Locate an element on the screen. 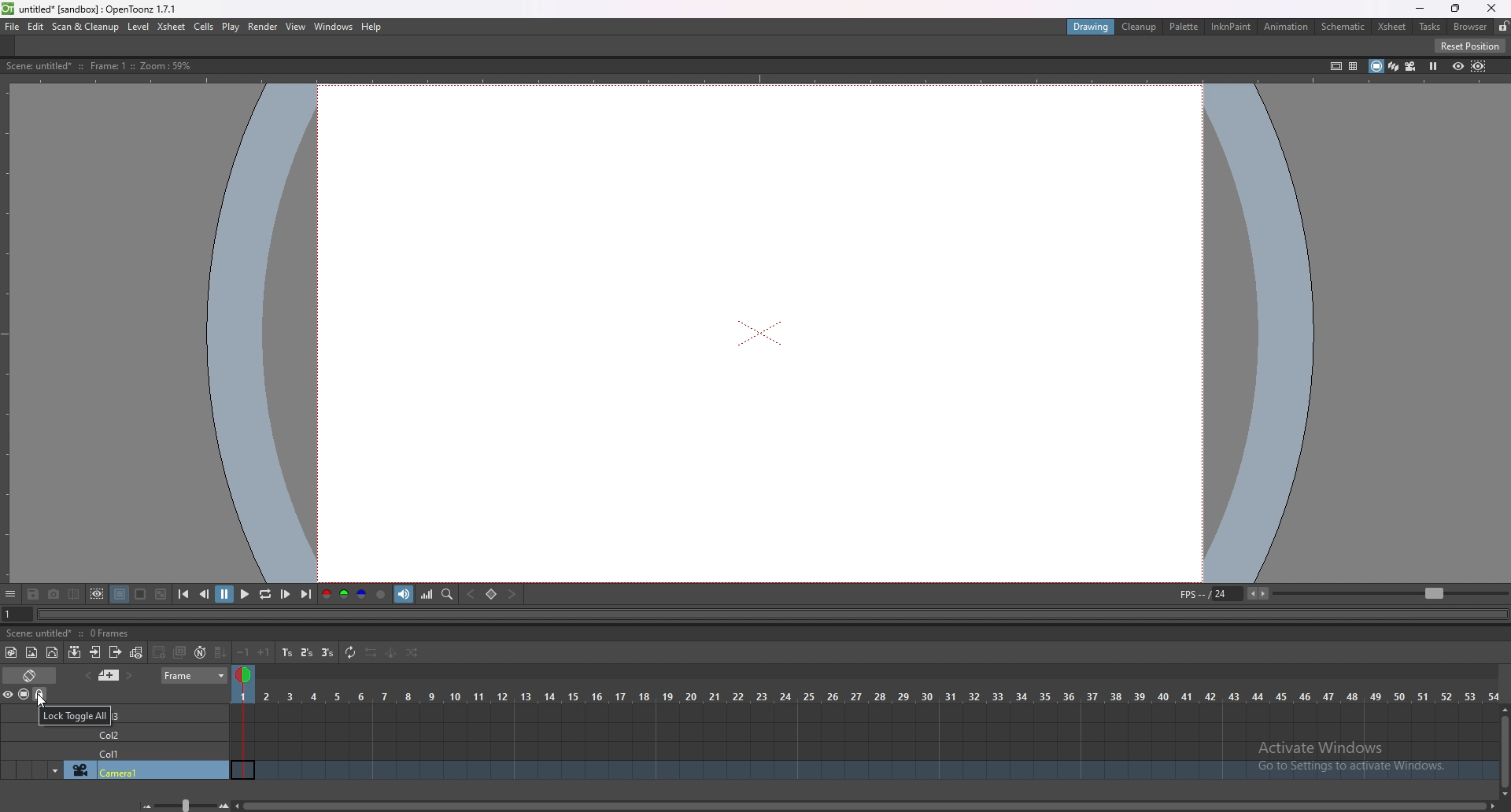  reframe on 3s is located at coordinates (328, 653).